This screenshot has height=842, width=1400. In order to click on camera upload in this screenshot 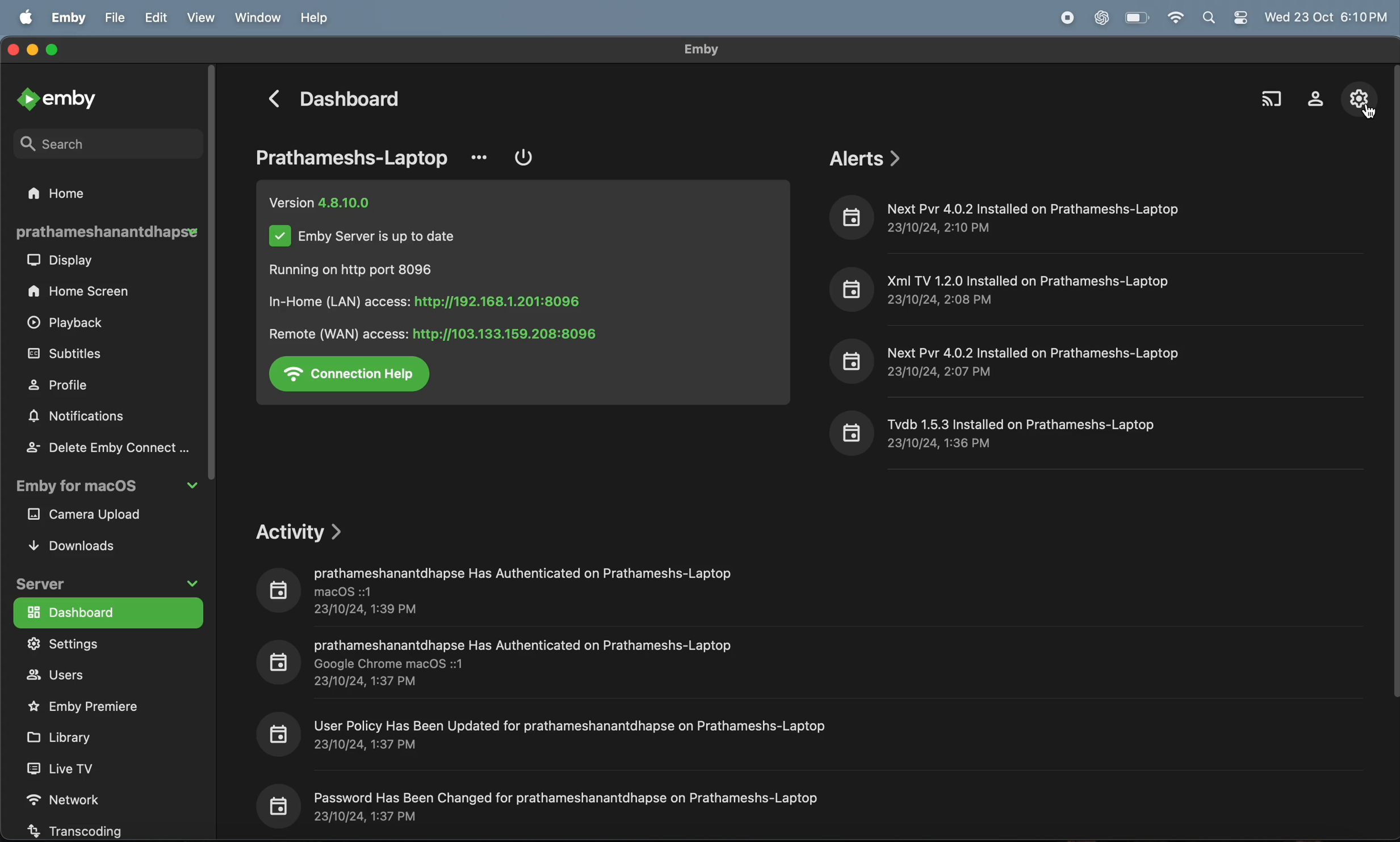, I will do `click(101, 515)`.